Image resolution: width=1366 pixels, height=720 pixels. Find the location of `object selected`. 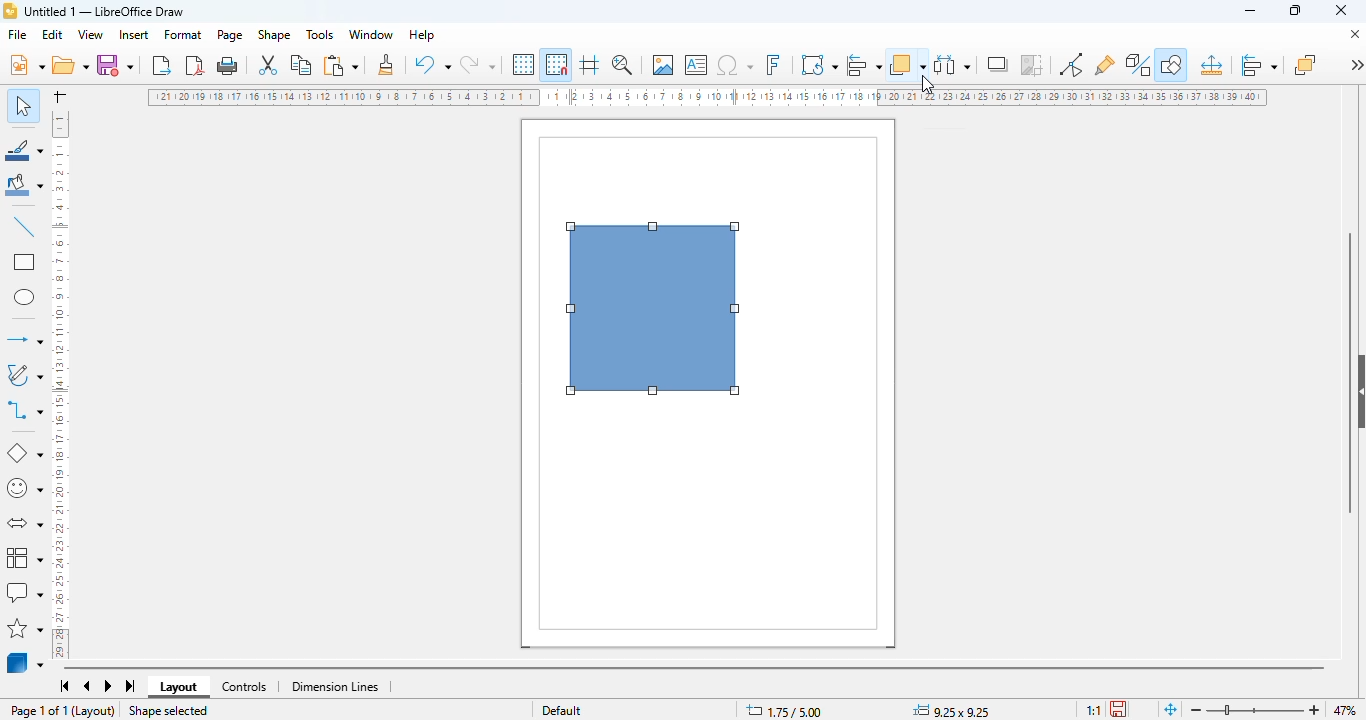

object selected is located at coordinates (654, 309).